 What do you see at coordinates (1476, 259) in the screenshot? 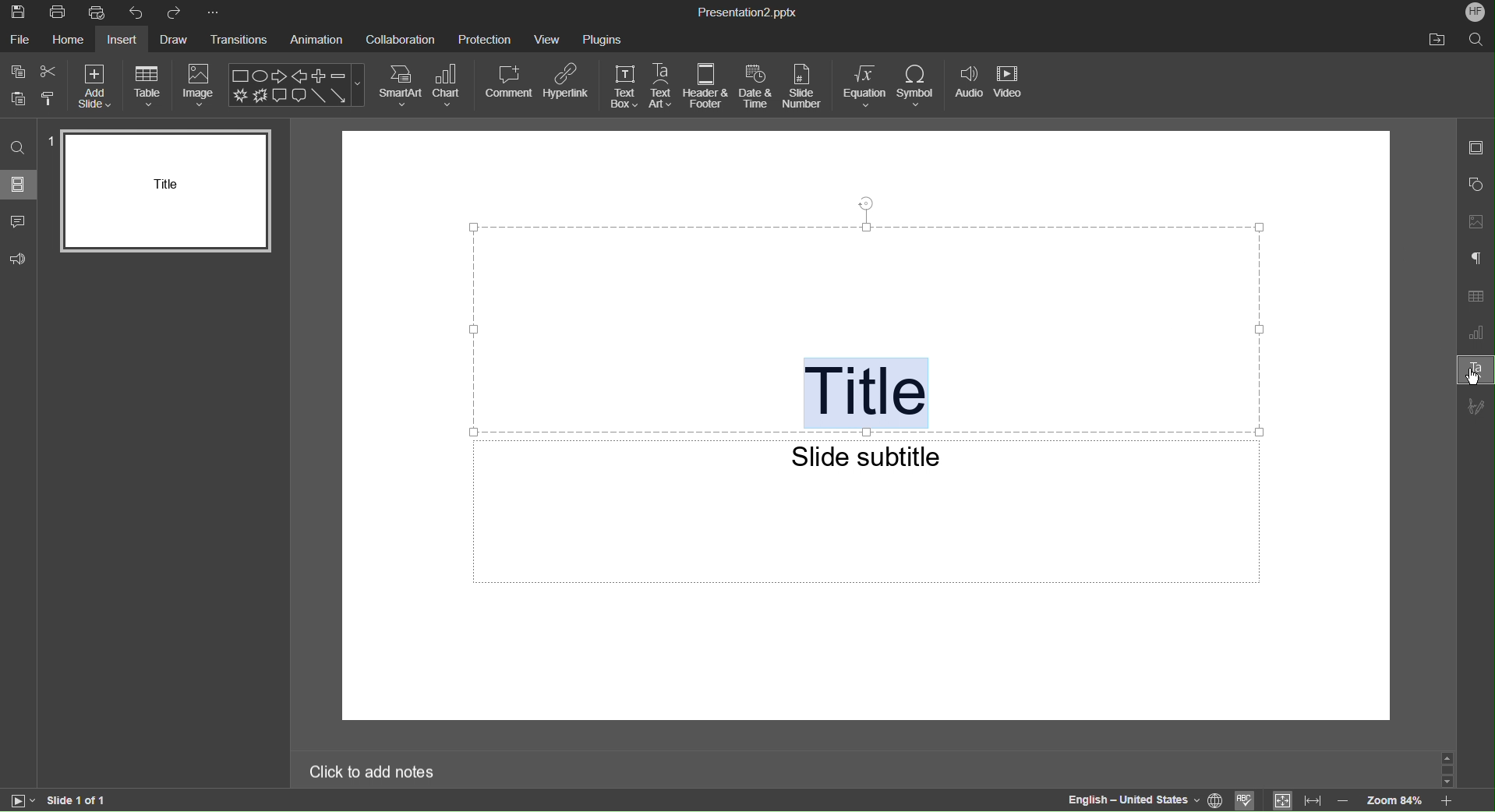
I see `Paragraph Settings` at bounding box center [1476, 259].